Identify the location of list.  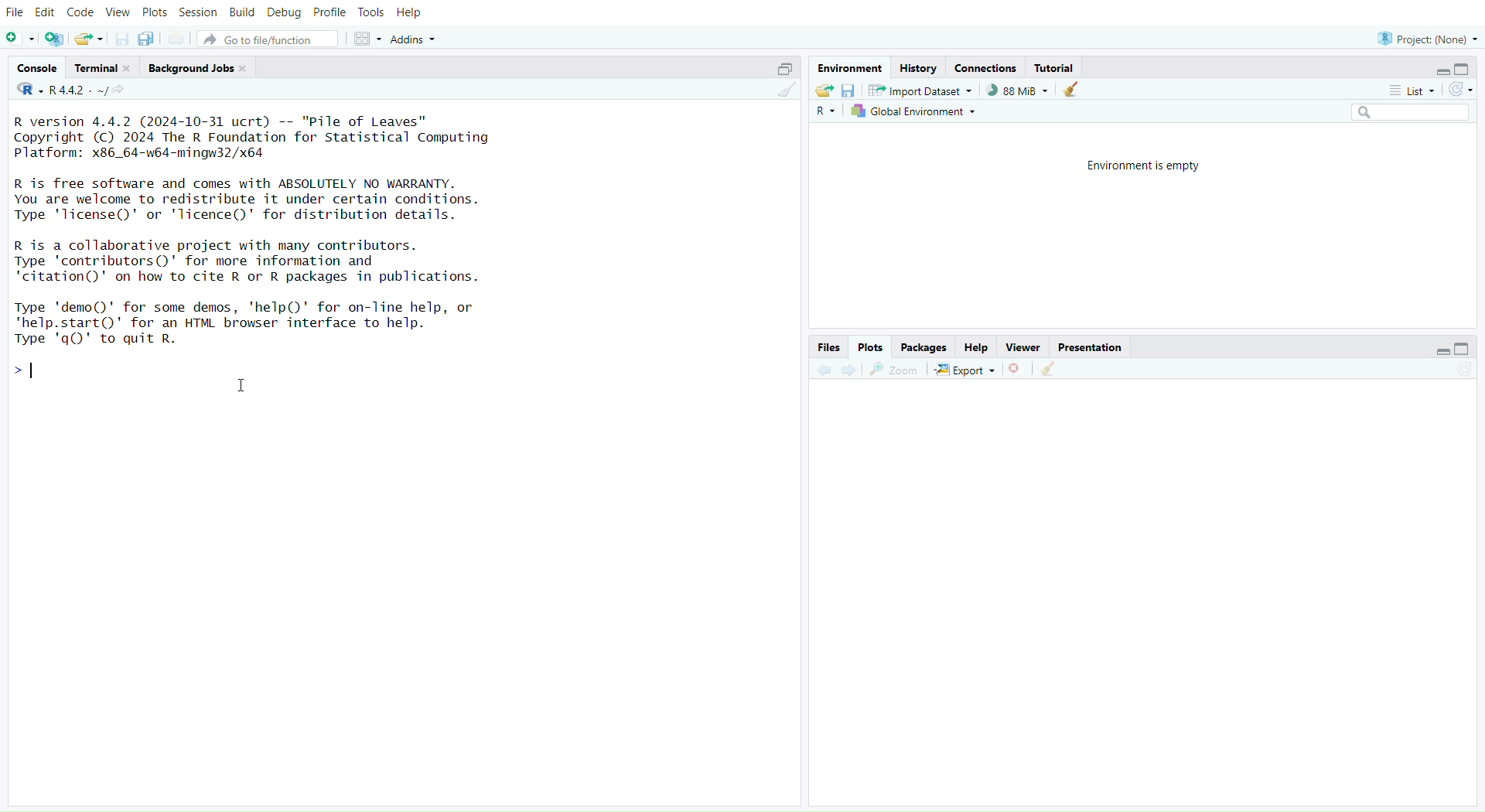
(1405, 90).